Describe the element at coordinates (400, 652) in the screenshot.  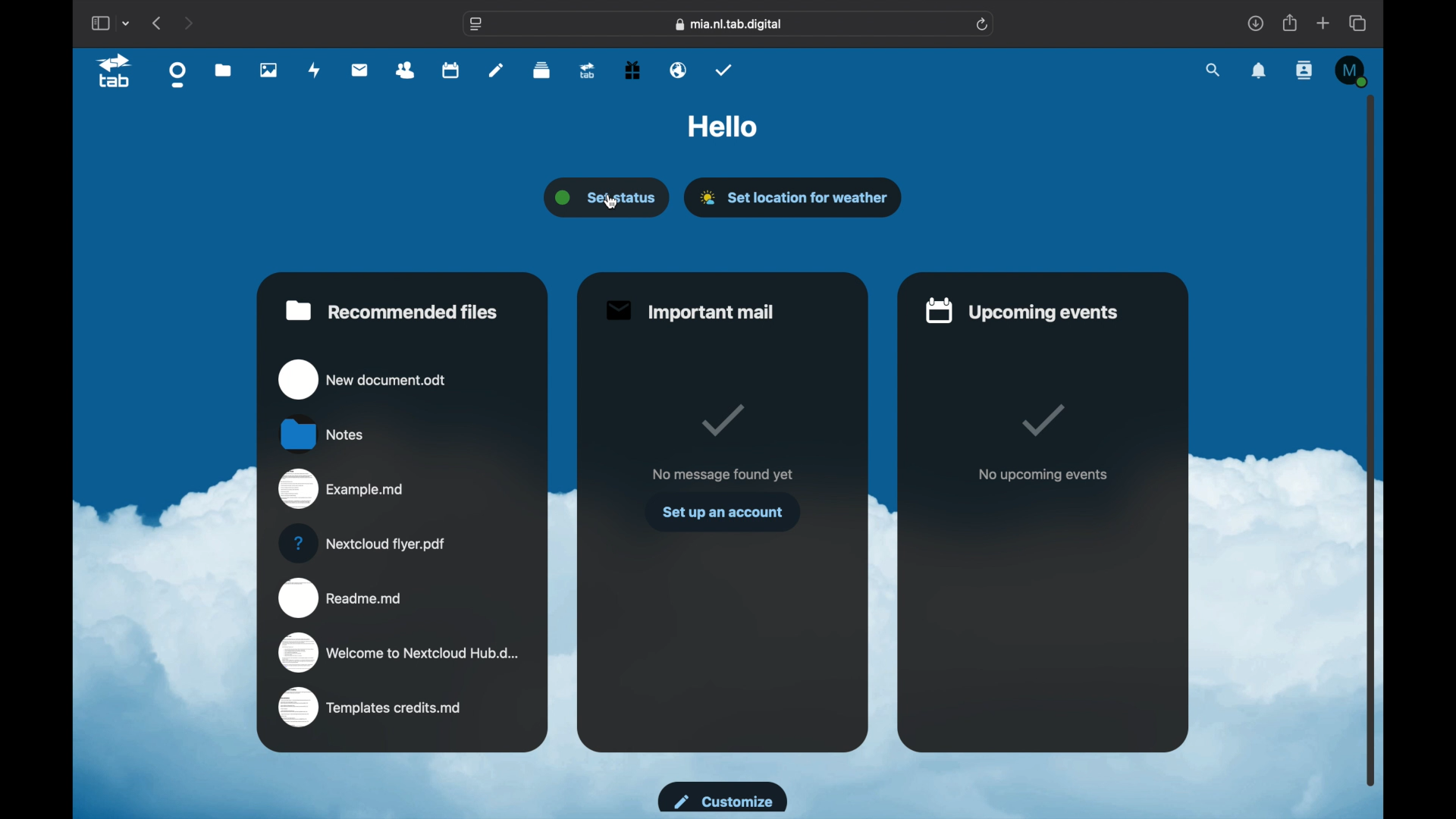
I see `welcome` at that location.